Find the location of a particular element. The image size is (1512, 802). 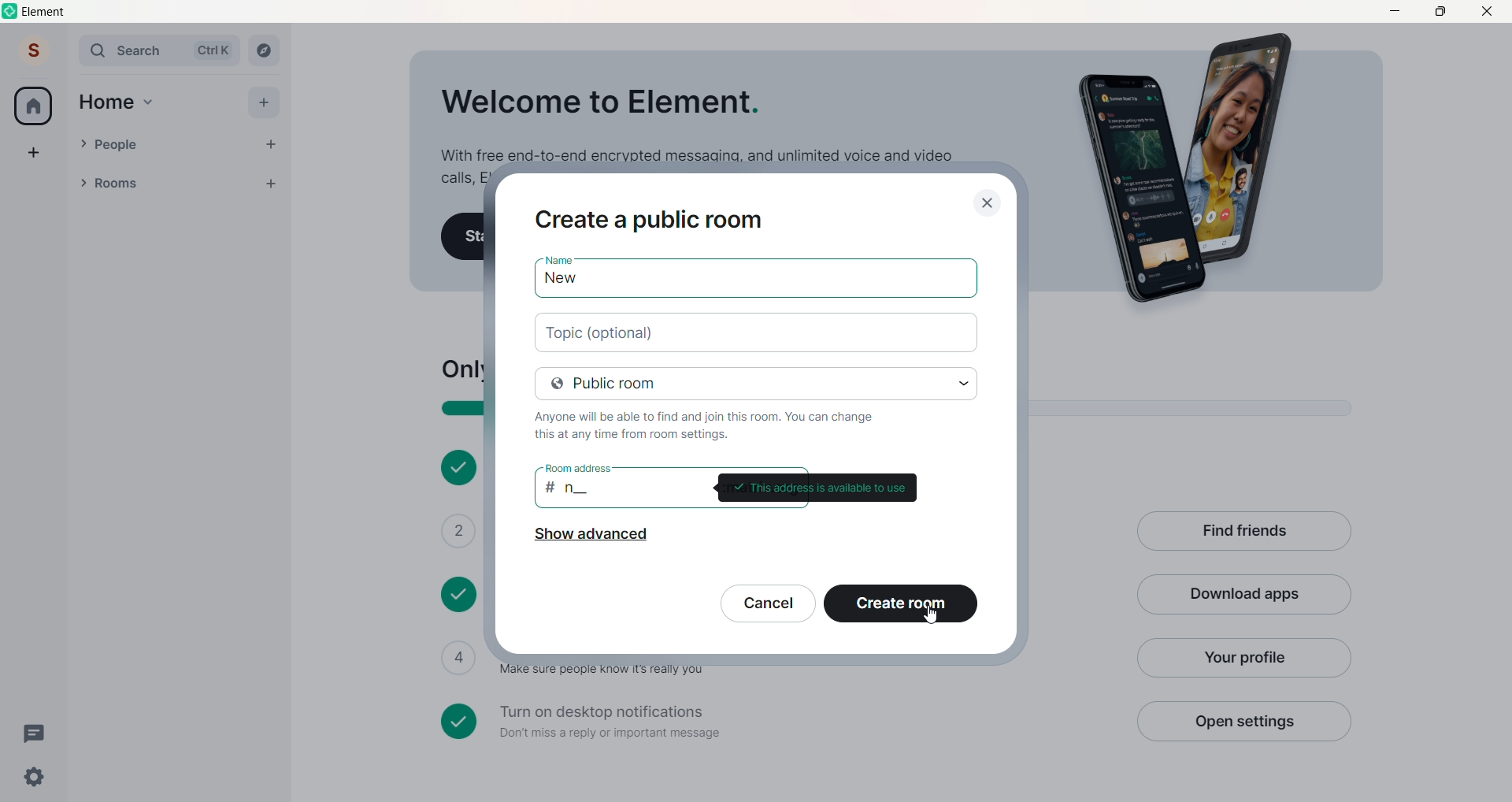

People is located at coordinates (172, 145).